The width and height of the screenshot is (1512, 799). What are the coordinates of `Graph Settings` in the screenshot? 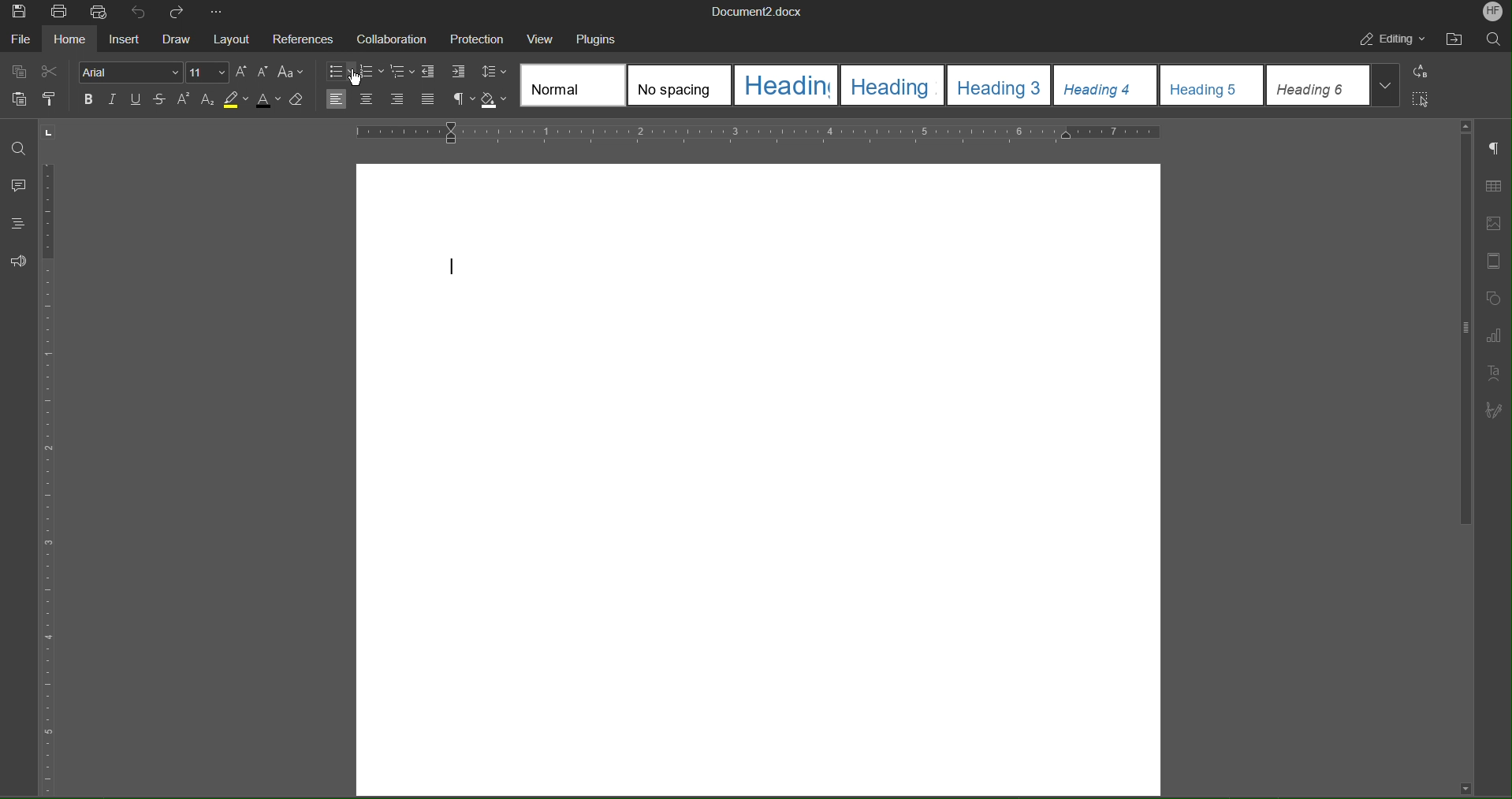 It's located at (1490, 334).